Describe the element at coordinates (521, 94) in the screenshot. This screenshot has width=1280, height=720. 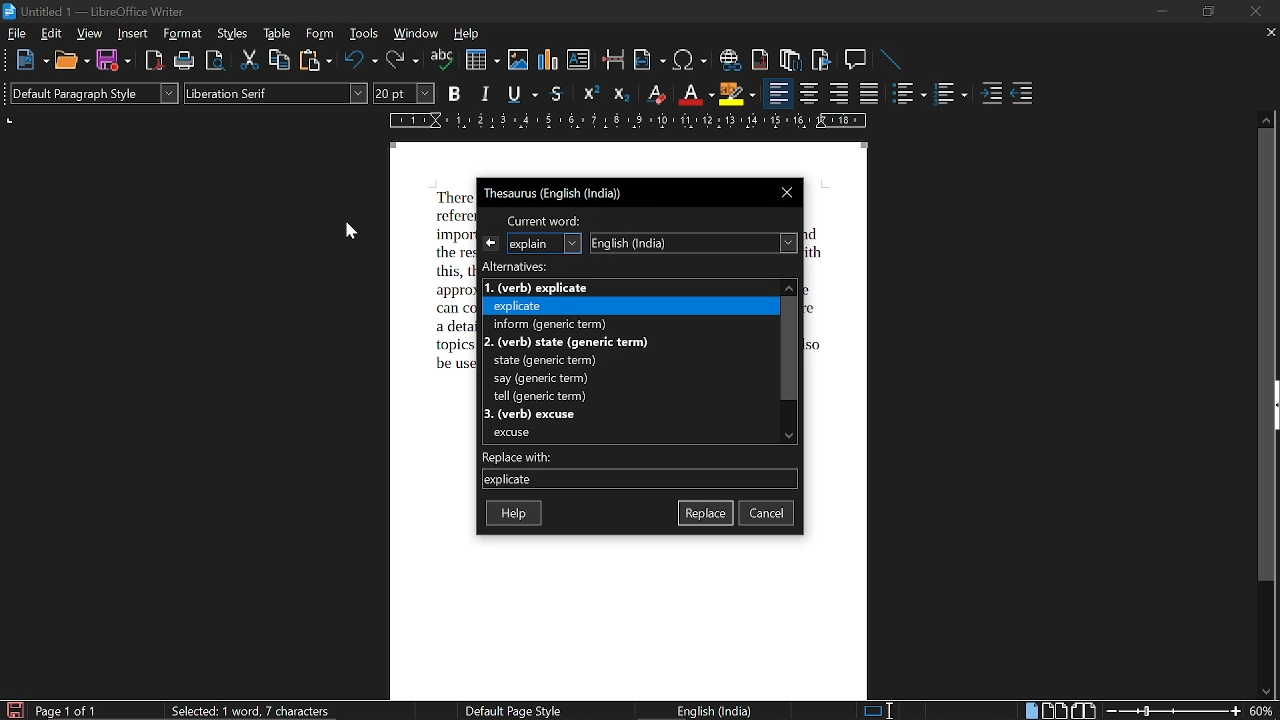
I see `underline` at that location.